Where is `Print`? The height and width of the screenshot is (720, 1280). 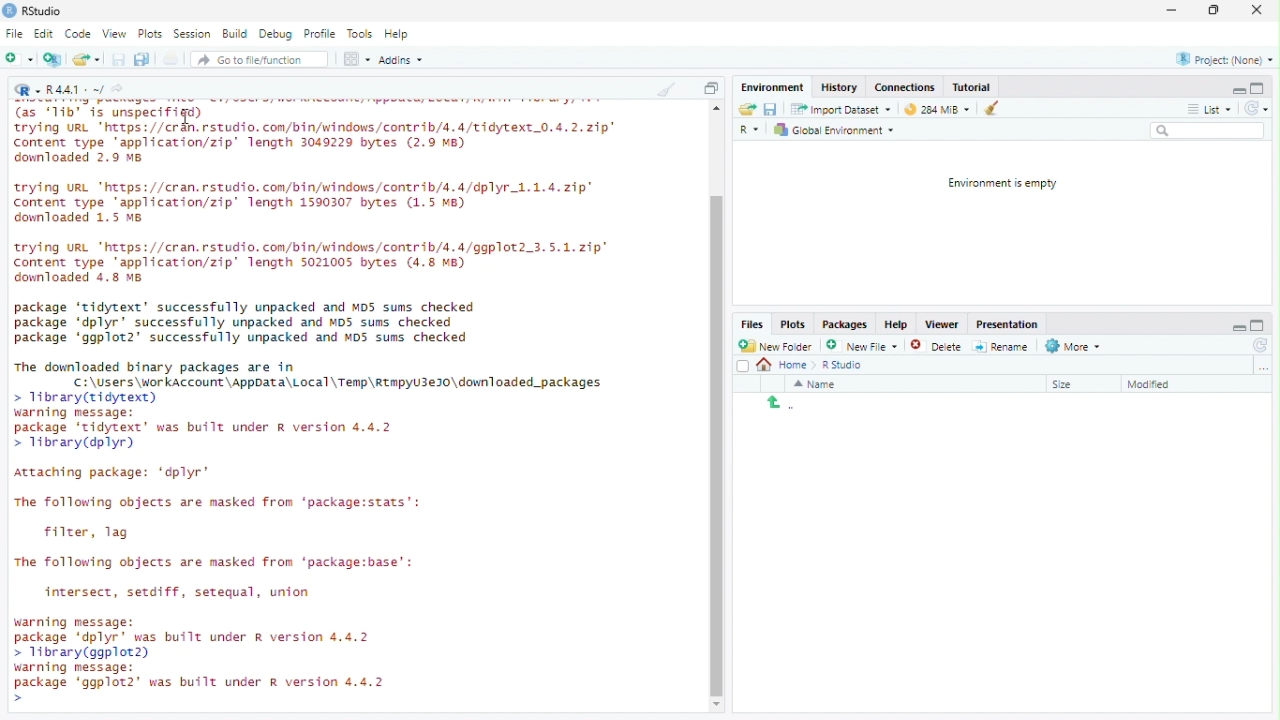
Print is located at coordinates (172, 59).